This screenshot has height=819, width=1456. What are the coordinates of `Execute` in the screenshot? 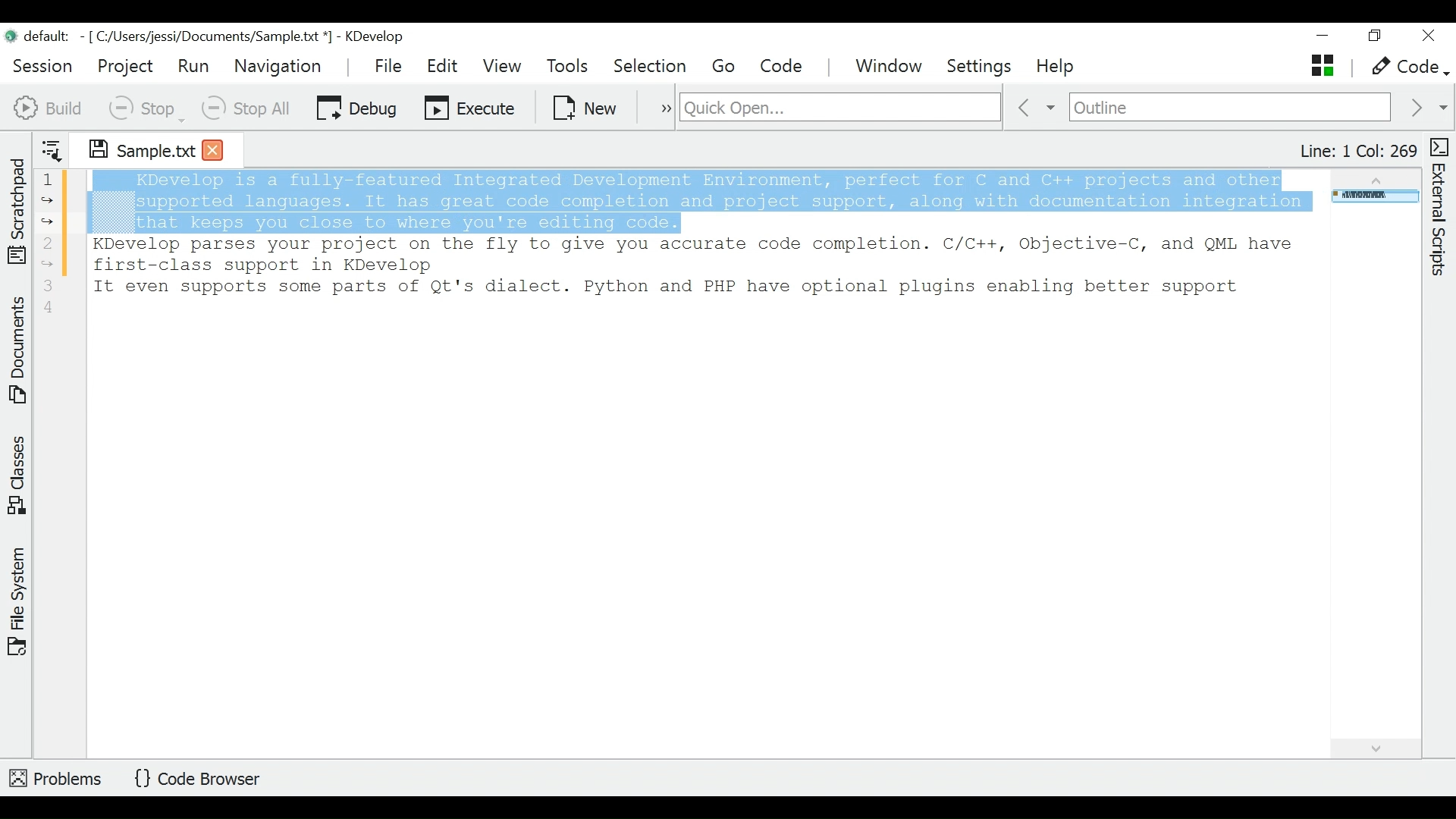 It's located at (471, 106).